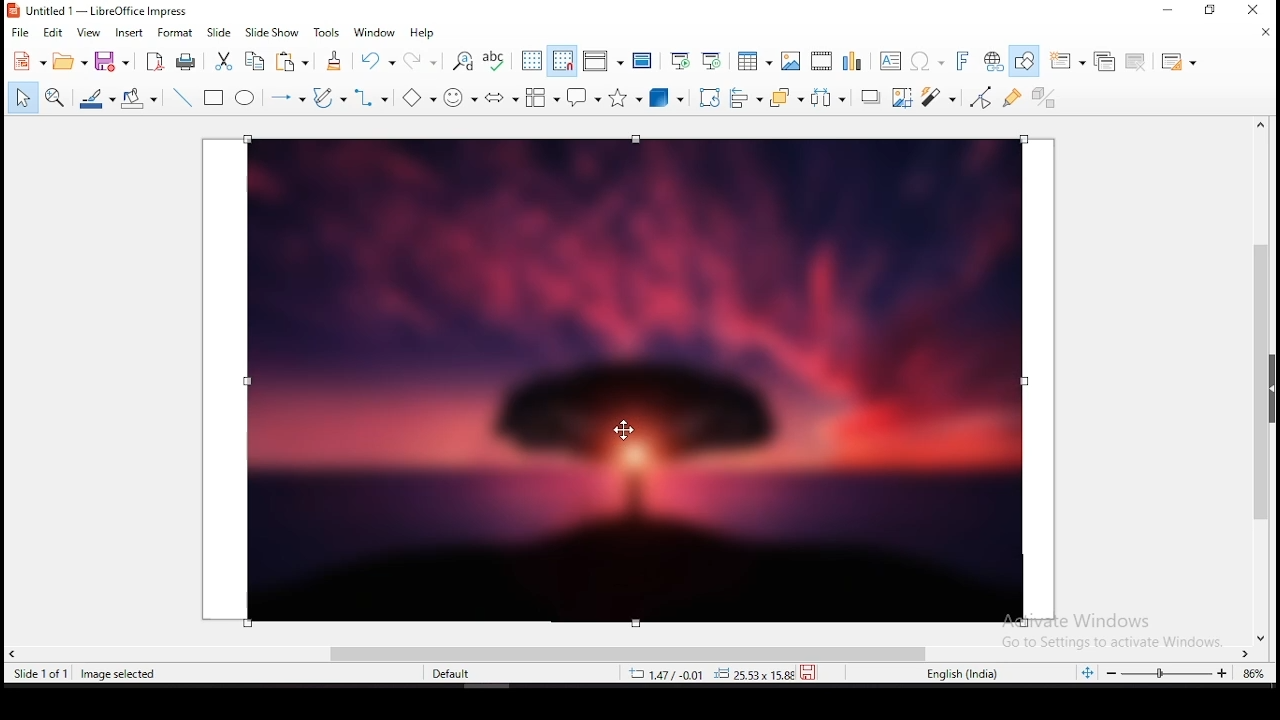 Image resolution: width=1280 pixels, height=720 pixels. Describe the element at coordinates (246, 98) in the screenshot. I see `ellipse` at that location.